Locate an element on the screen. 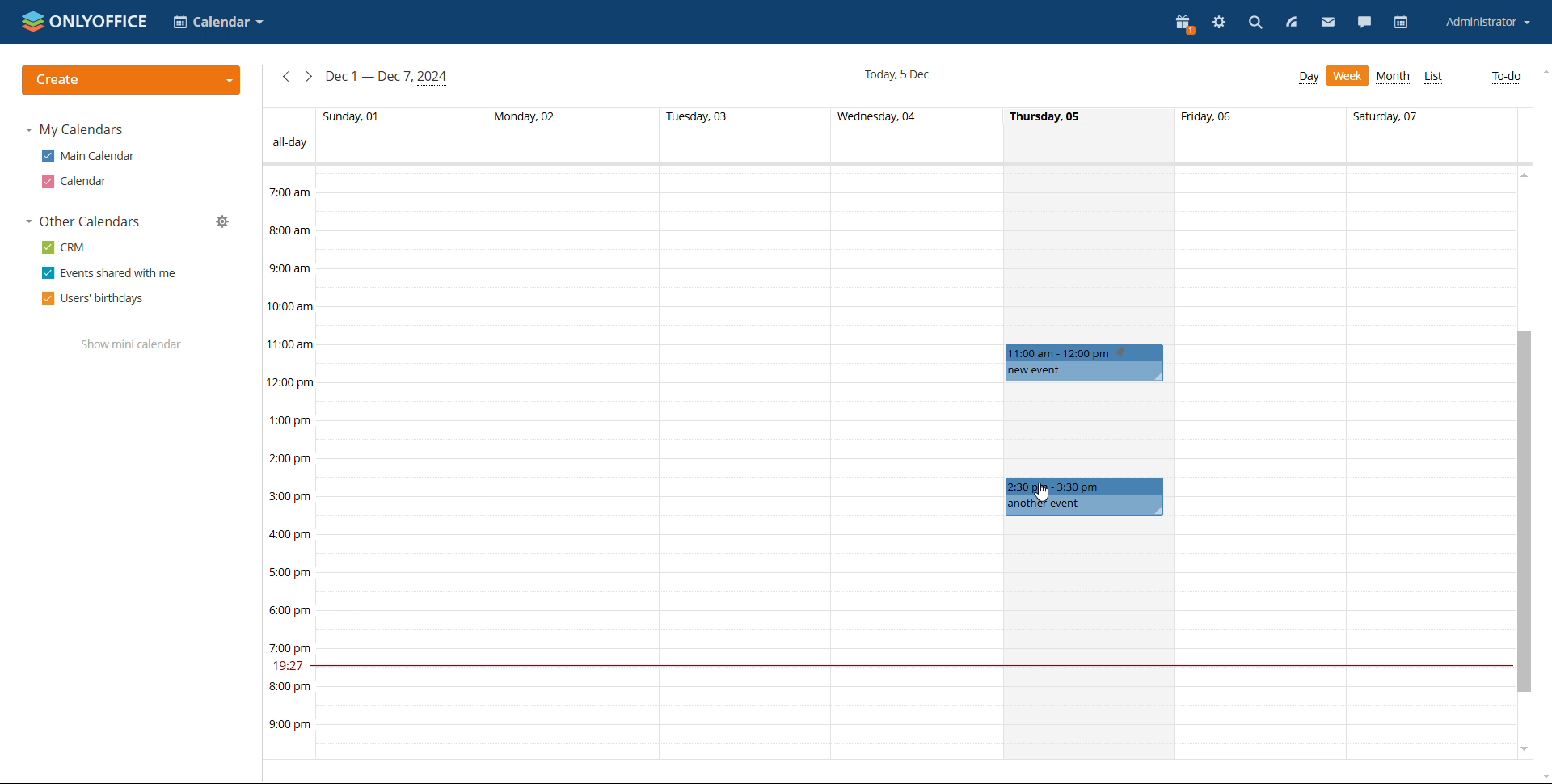 The height and width of the screenshot is (784, 1552). 6:00 pm is located at coordinates (289, 611).